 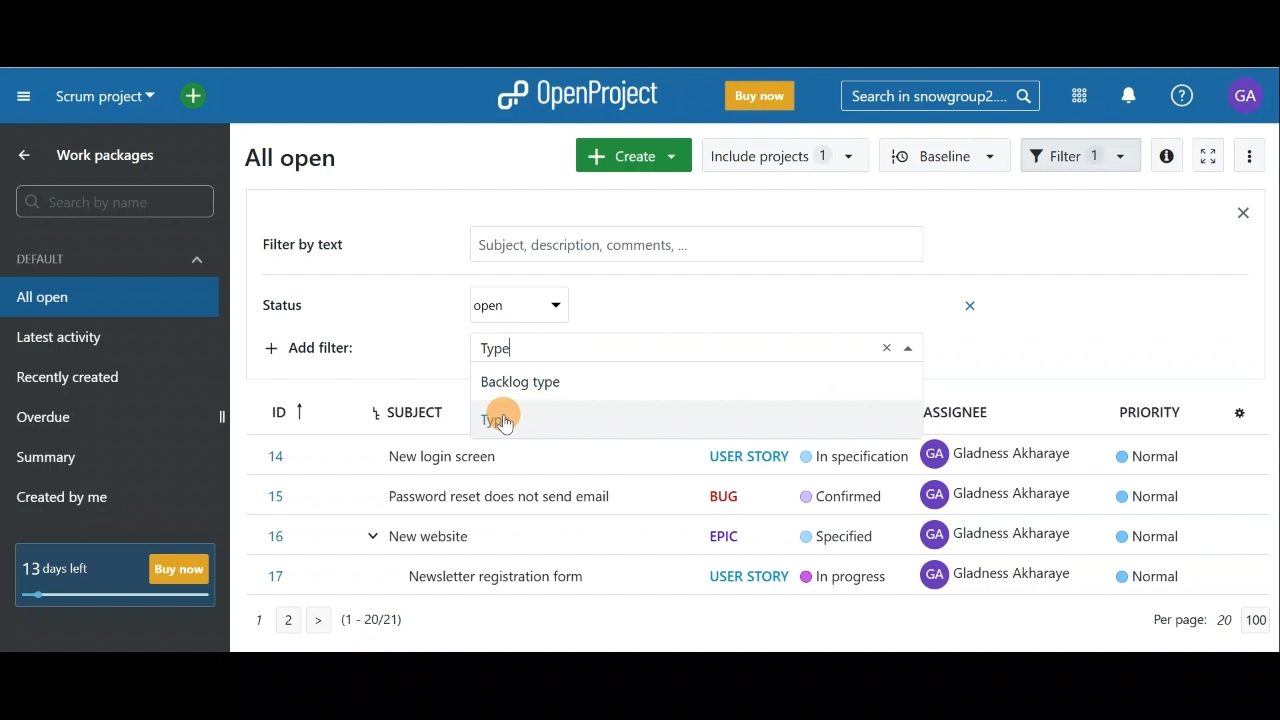 I want to click on Account name, so click(x=1248, y=95).